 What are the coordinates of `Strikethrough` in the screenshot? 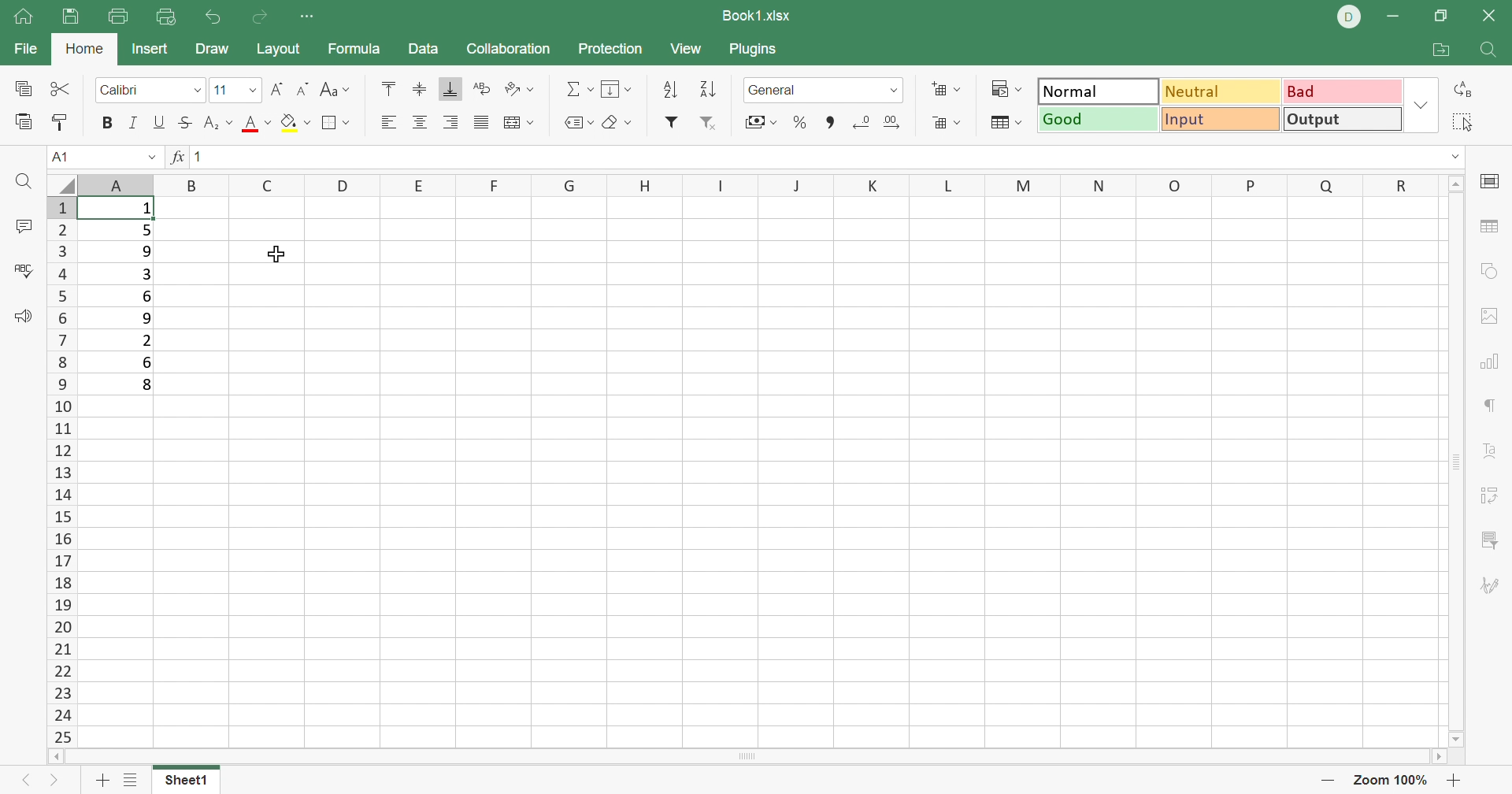 It's located at (182, 123).